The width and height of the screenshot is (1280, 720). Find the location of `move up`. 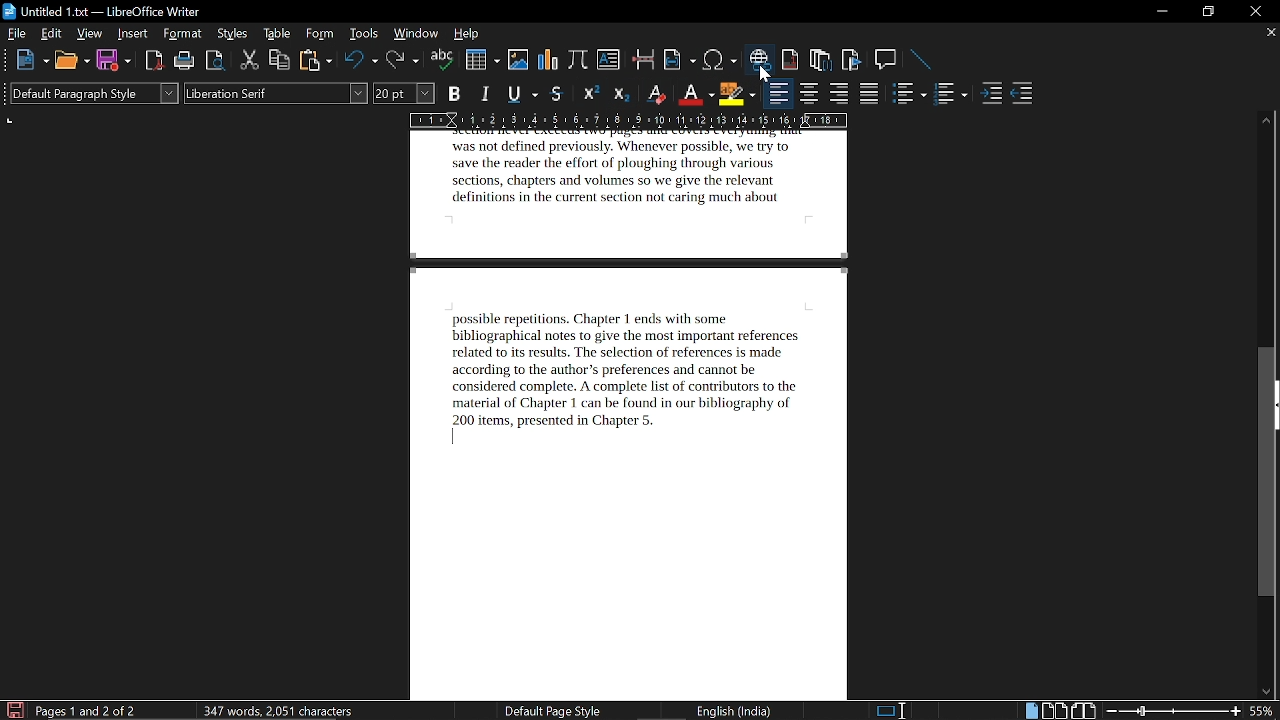

move up is located at coordinates (1268, 117).